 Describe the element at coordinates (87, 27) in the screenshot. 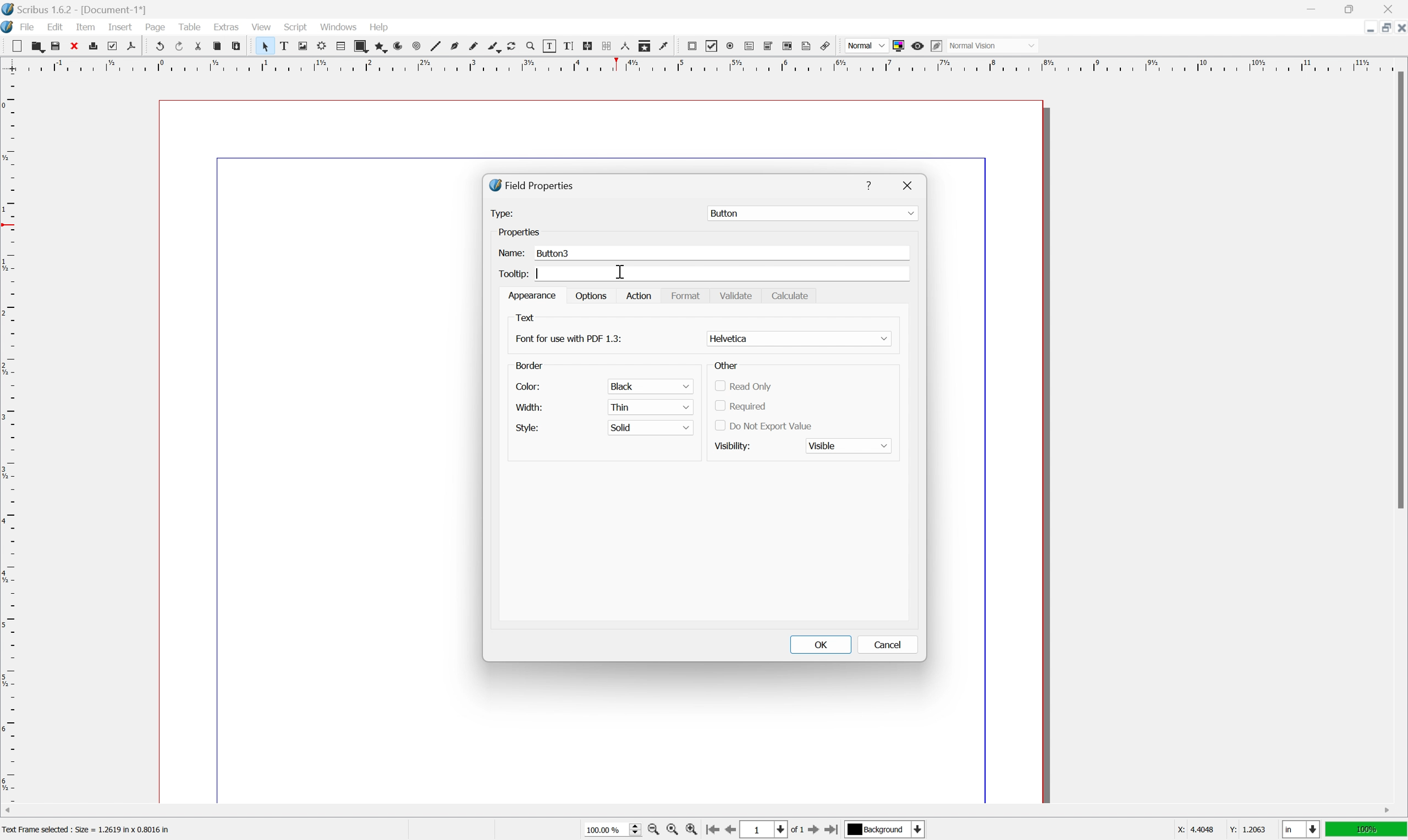

I see `item` at that location.